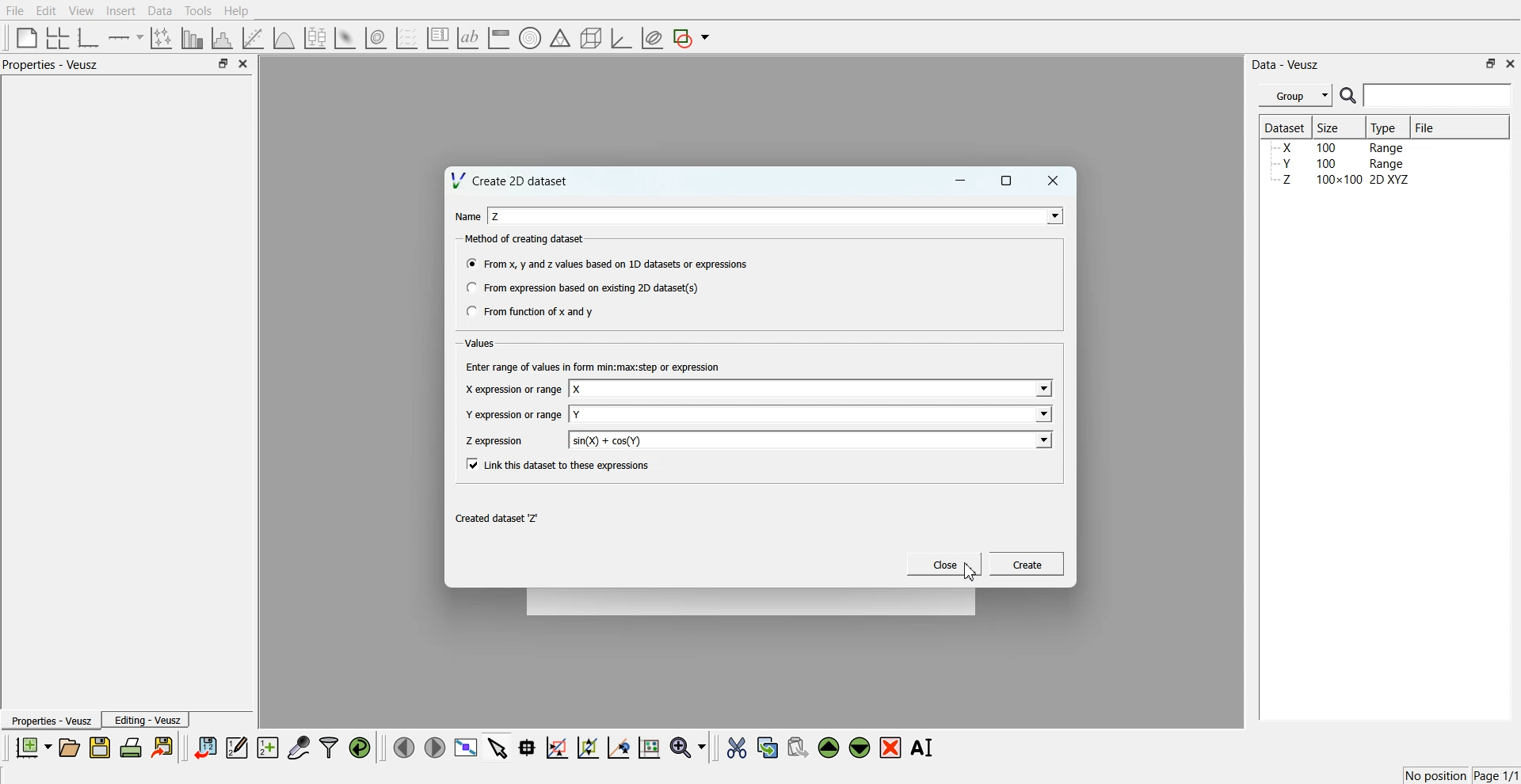  What do you see at coordinates (653, 39) in the screenshot?
I see `Plot covariance ellipsis` at bounding box center [653, 39].